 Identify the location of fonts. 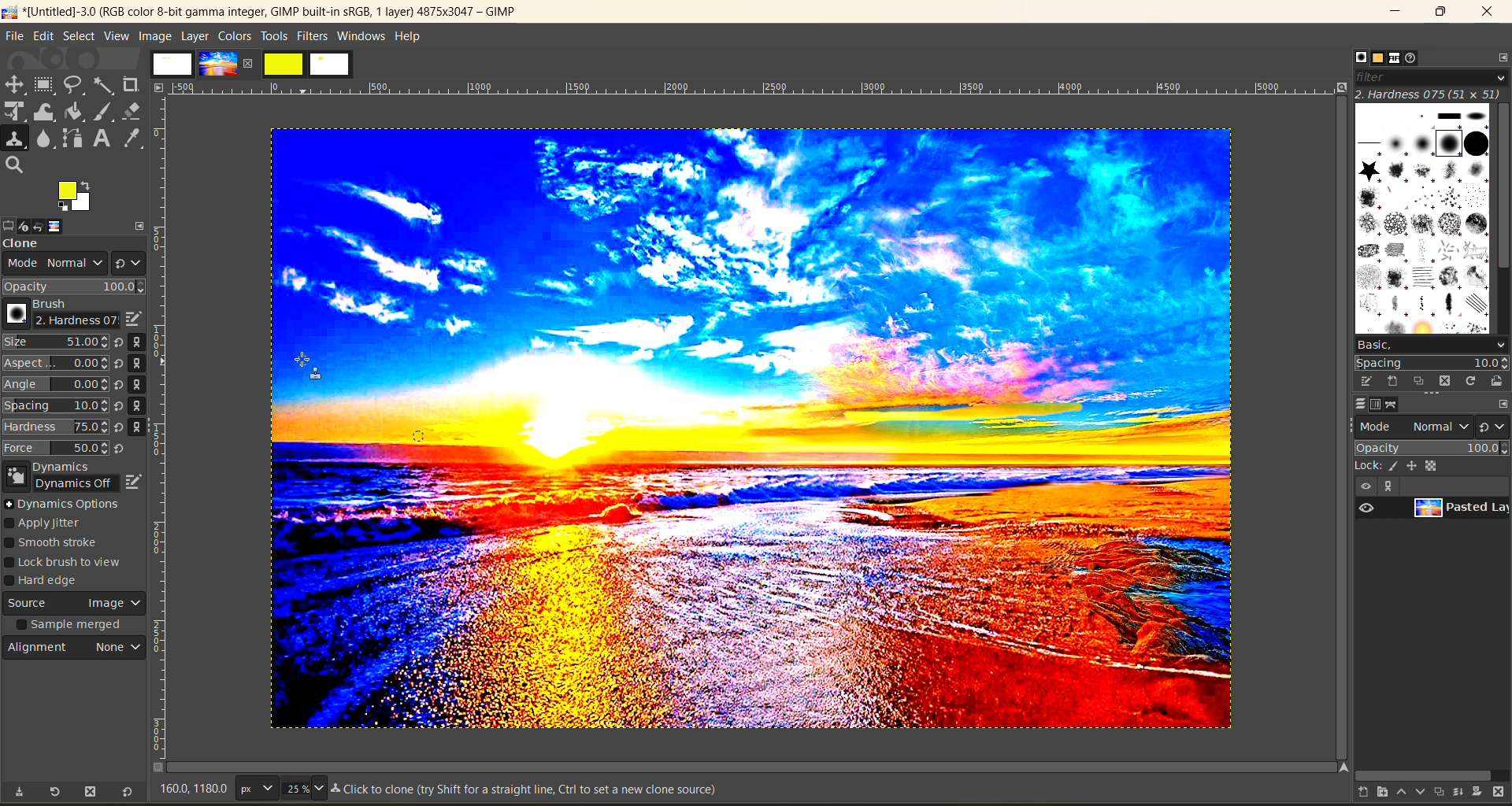
(1397, 59).